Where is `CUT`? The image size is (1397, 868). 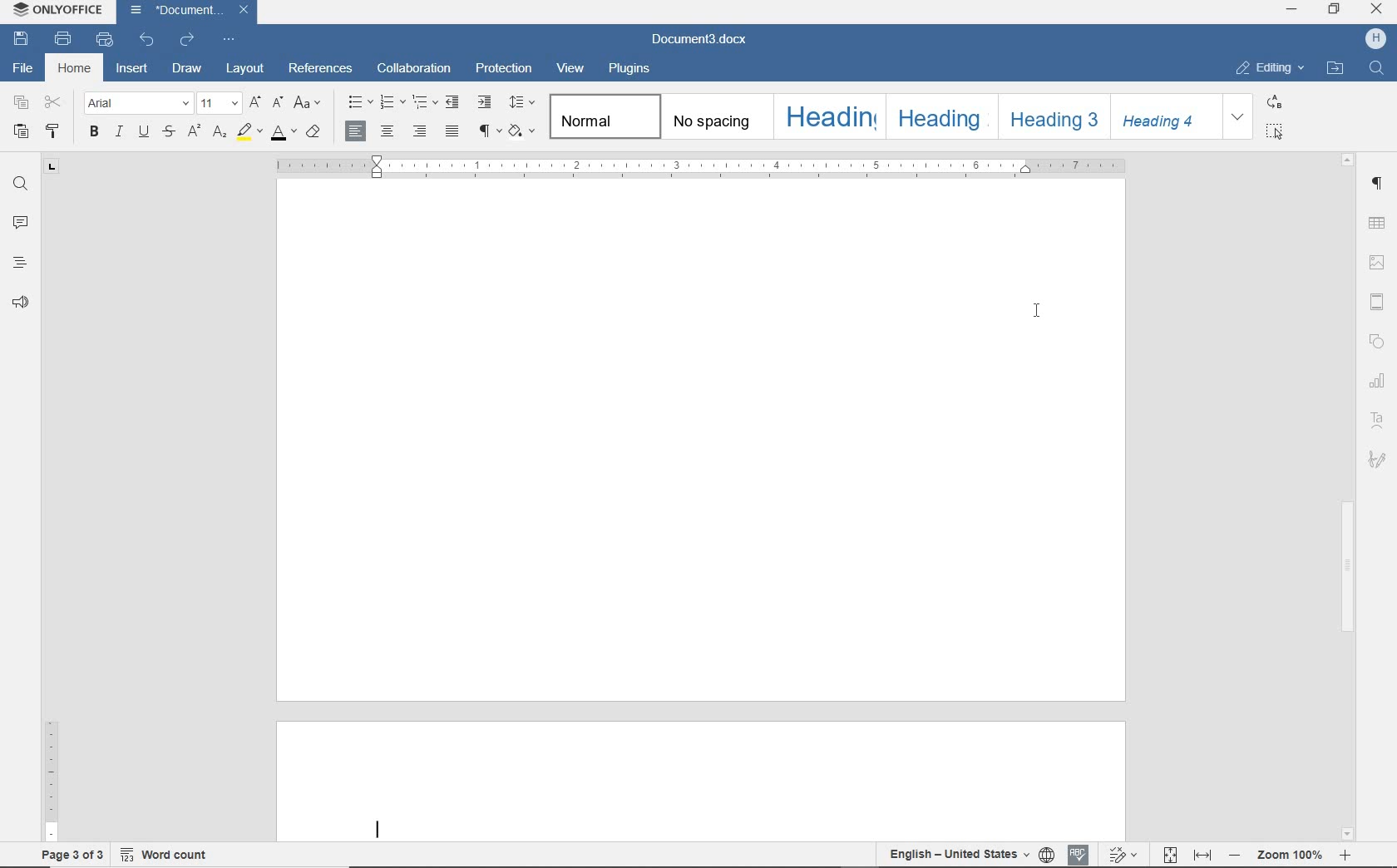 CUT is located at coordinates (53, 103).